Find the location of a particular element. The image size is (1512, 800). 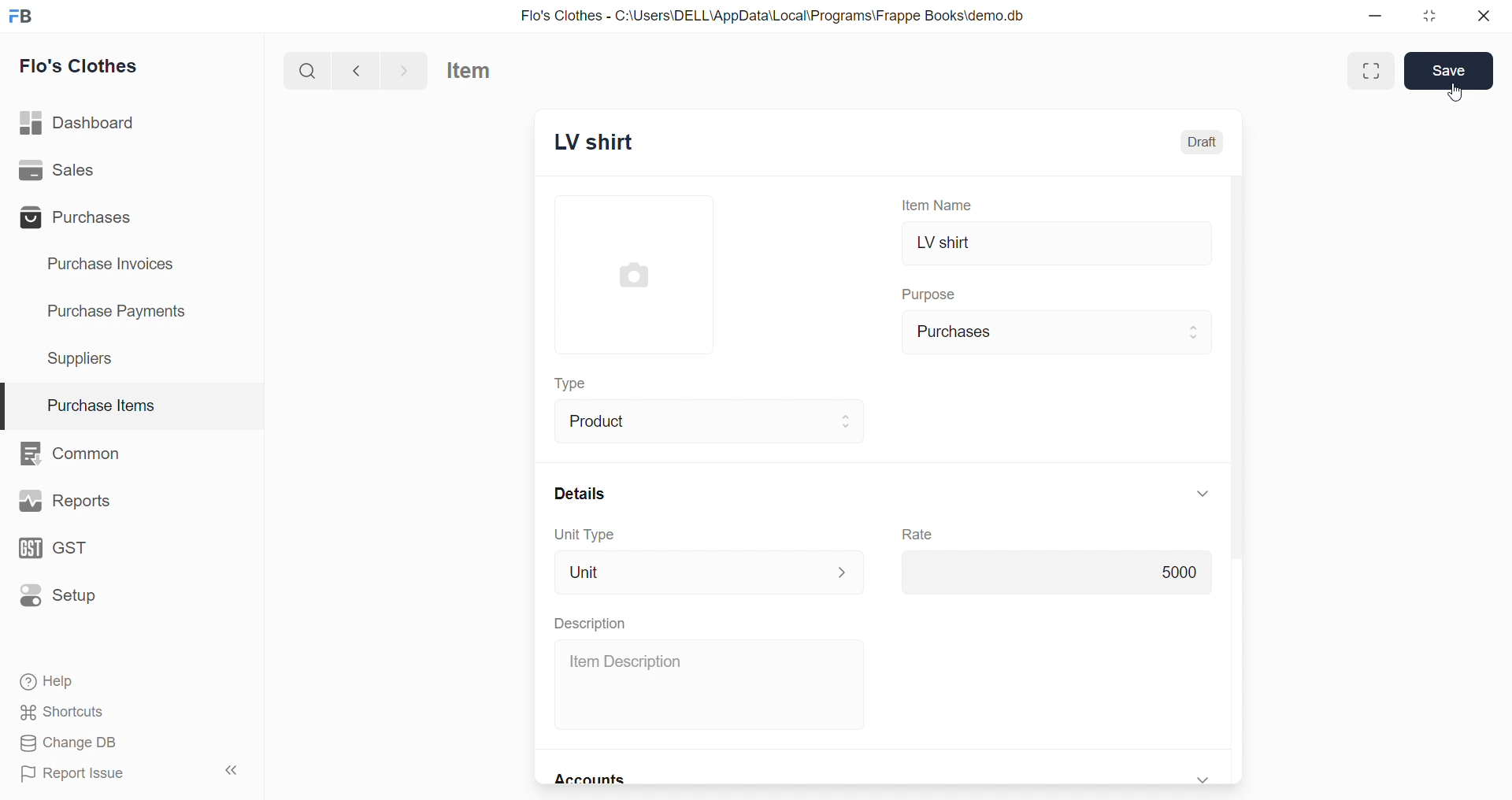

close is located at coordinates (1478, 16).